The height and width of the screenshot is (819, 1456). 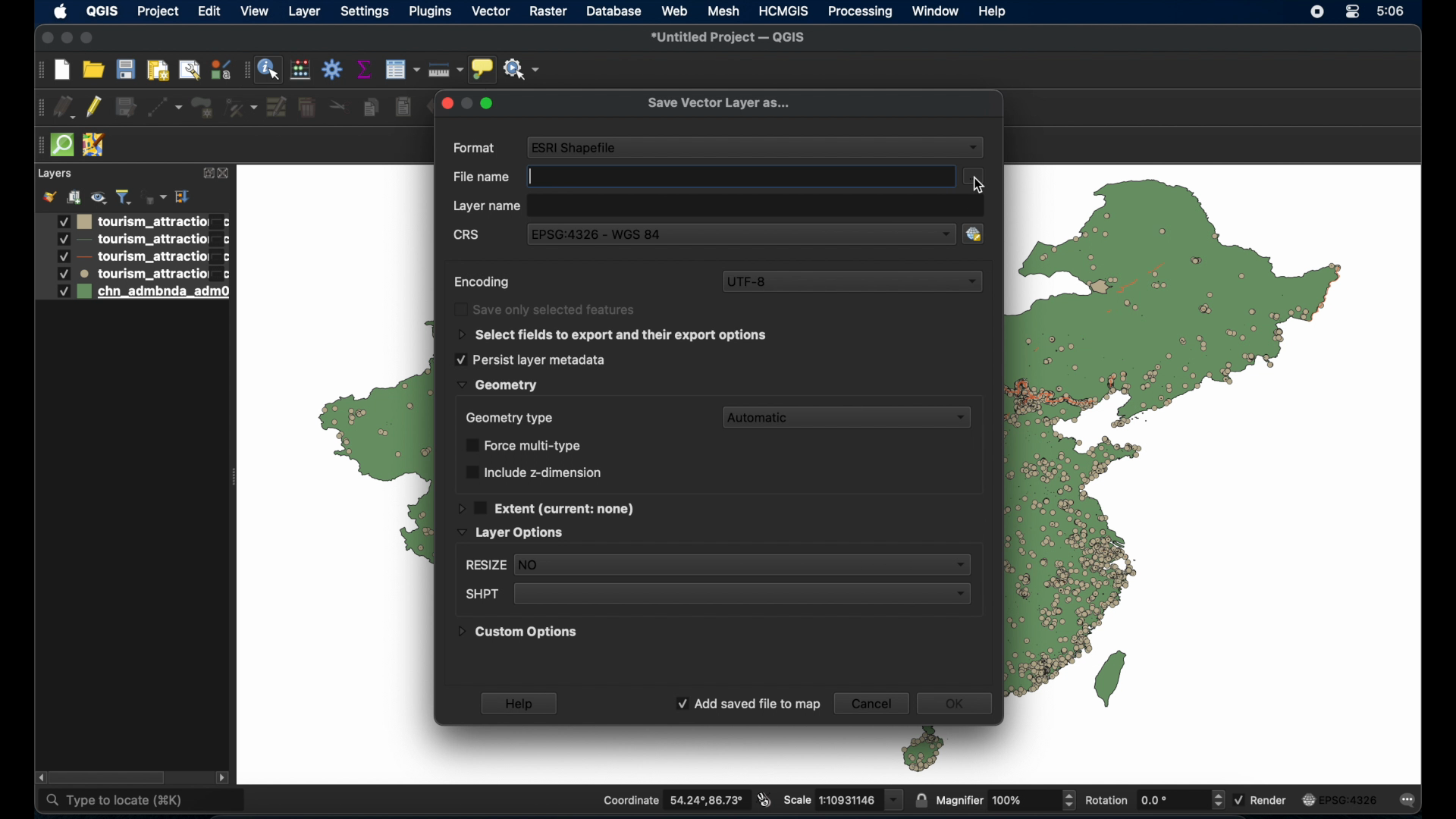 What do you see at coordinates (61, 146) in the screenshot?
I see `quick osm` at bounding box center [61, 146].